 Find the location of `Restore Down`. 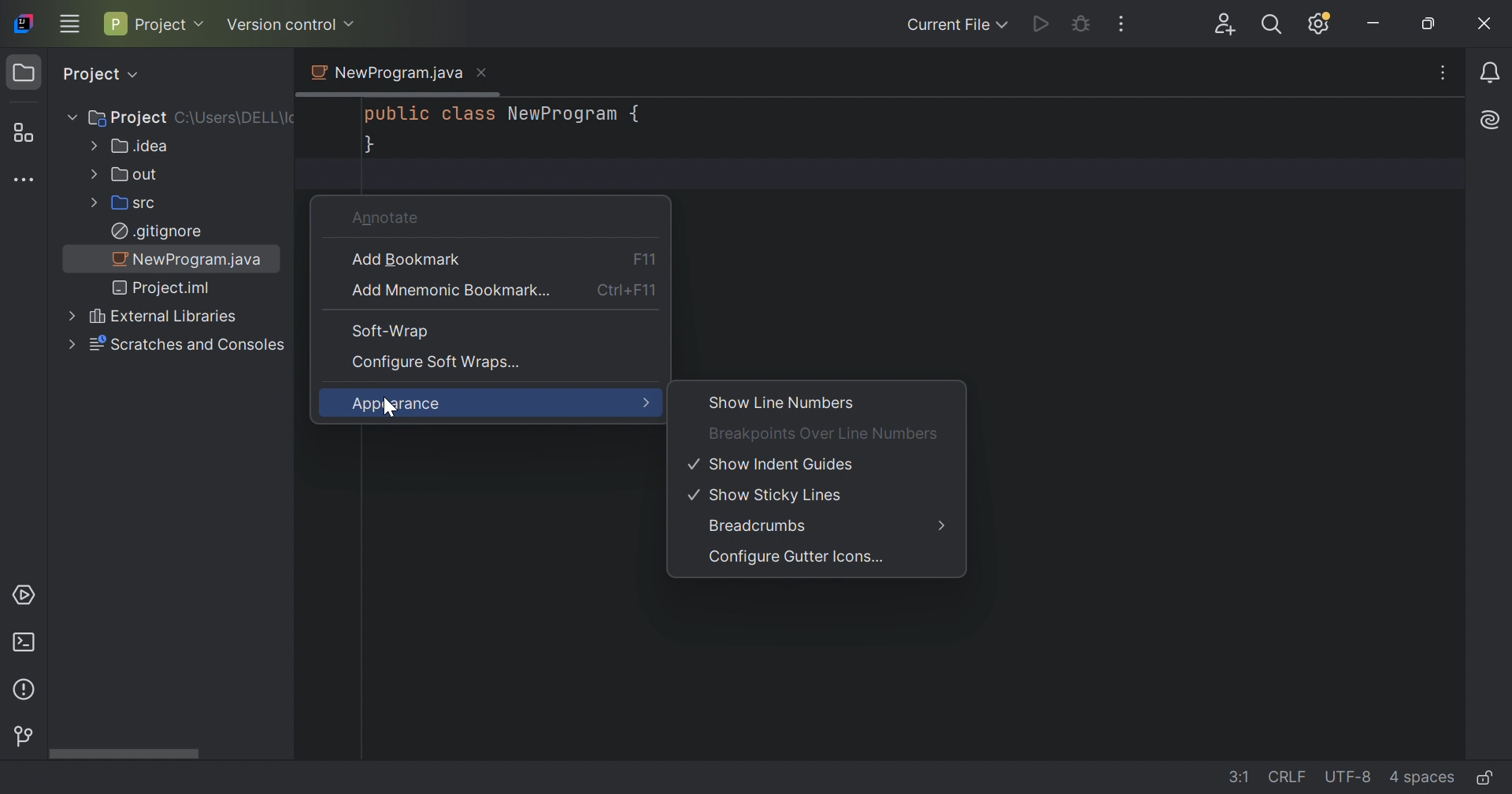

Restore Down is located at coordinates (1428, 25).